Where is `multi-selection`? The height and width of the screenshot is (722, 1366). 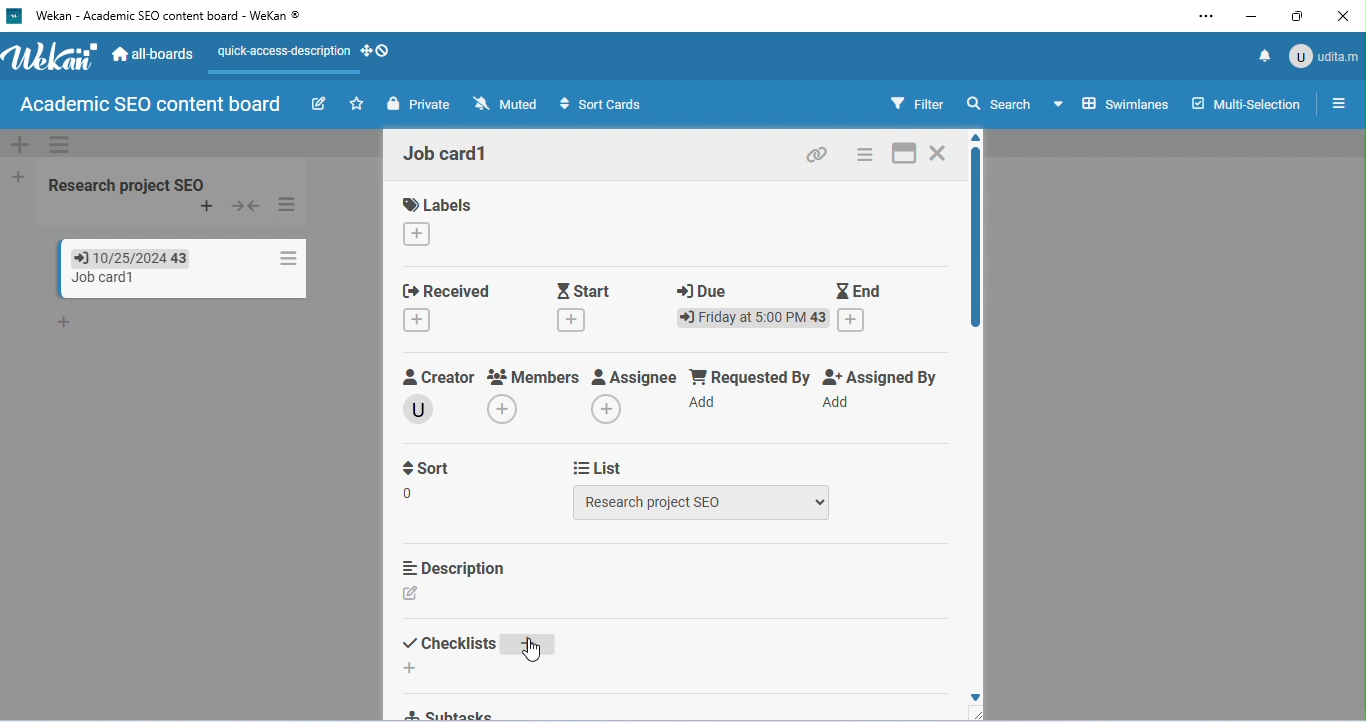 multi-selection is located at coordinates (1246, 101).